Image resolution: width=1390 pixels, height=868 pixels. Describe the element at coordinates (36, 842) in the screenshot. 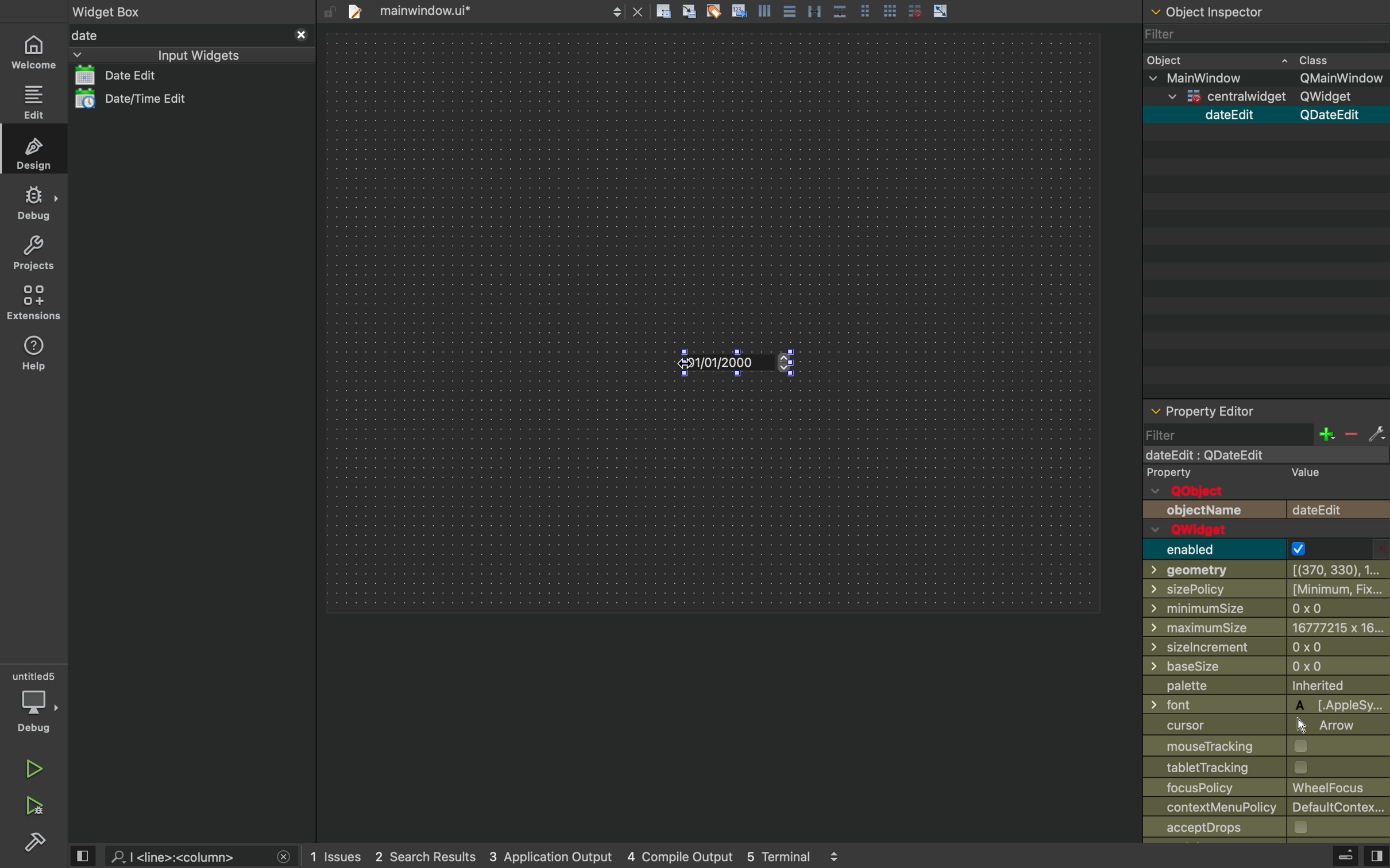

I see `build` at that location.